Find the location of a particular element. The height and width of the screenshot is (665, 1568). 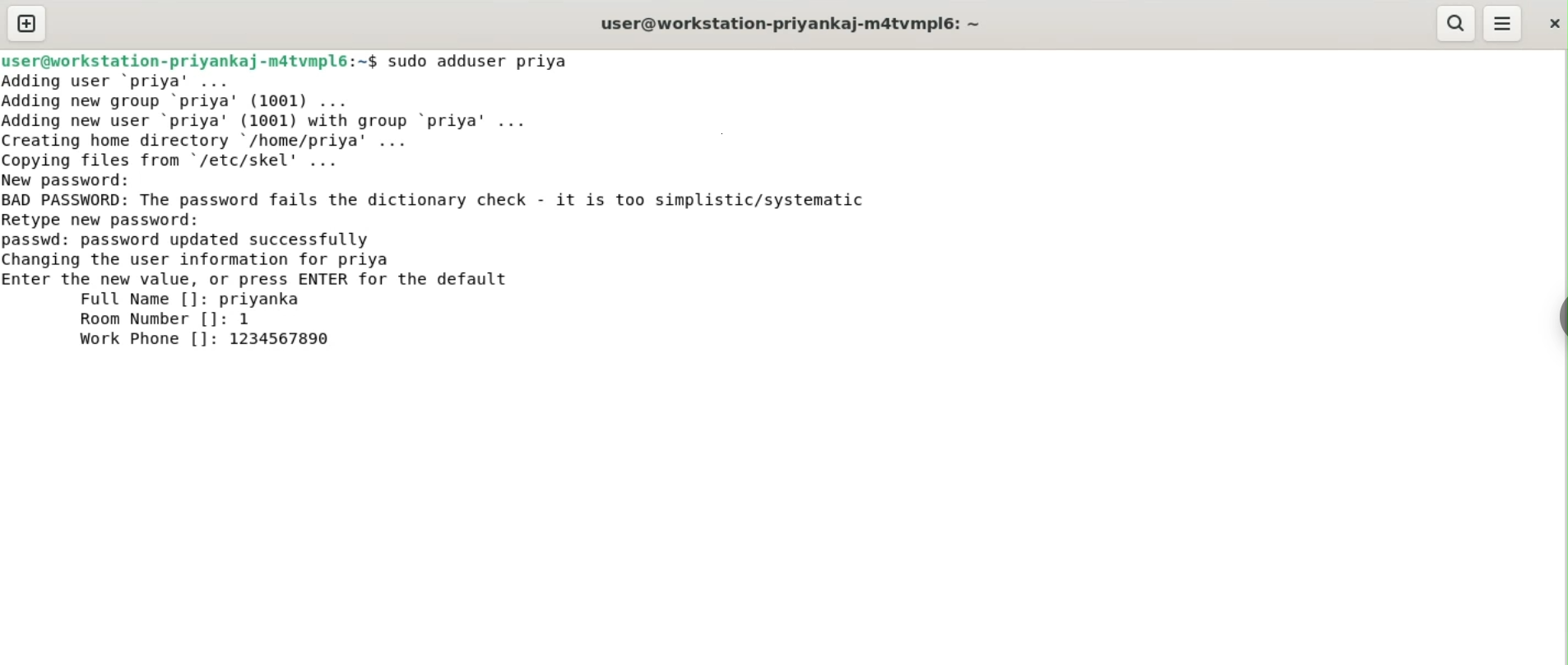

retype new password: is located at coordinates (114, 219).